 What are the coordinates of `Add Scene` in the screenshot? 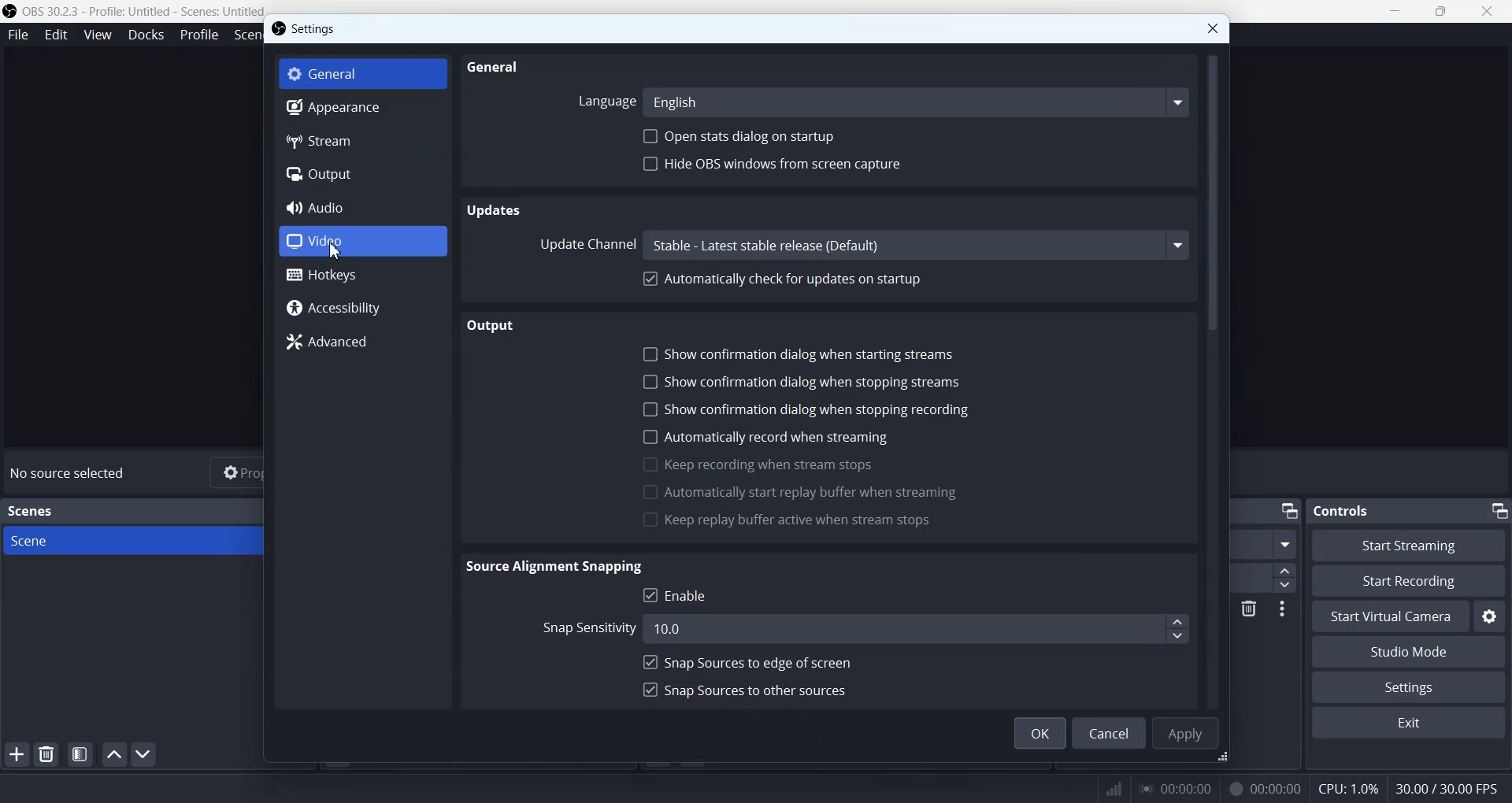 It's located at (16, 754).